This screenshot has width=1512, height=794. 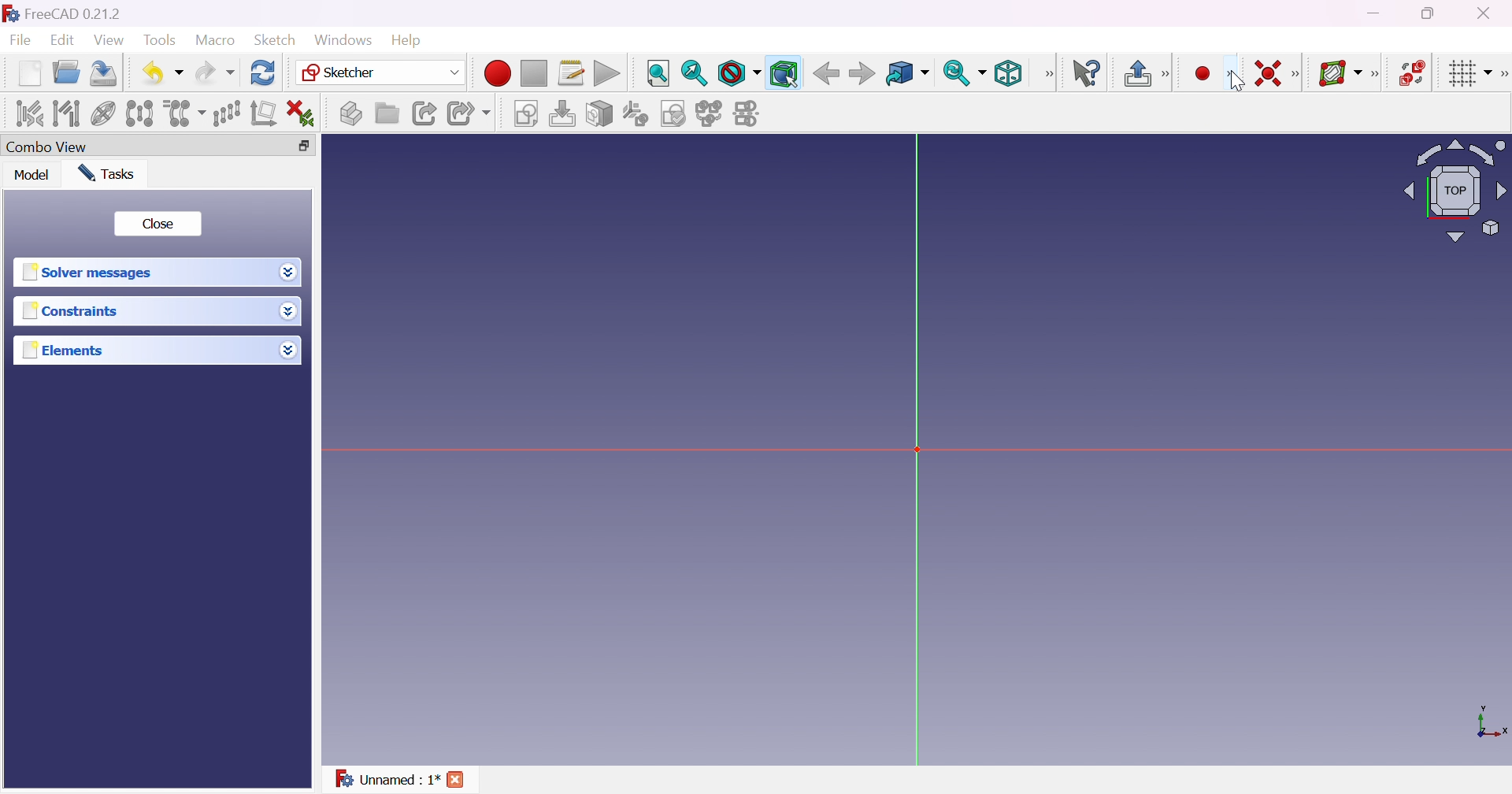 What do you see at coordinates (498, 72) in the screenshot?
I see `Macro recording...` at bounding box center [498, 72].